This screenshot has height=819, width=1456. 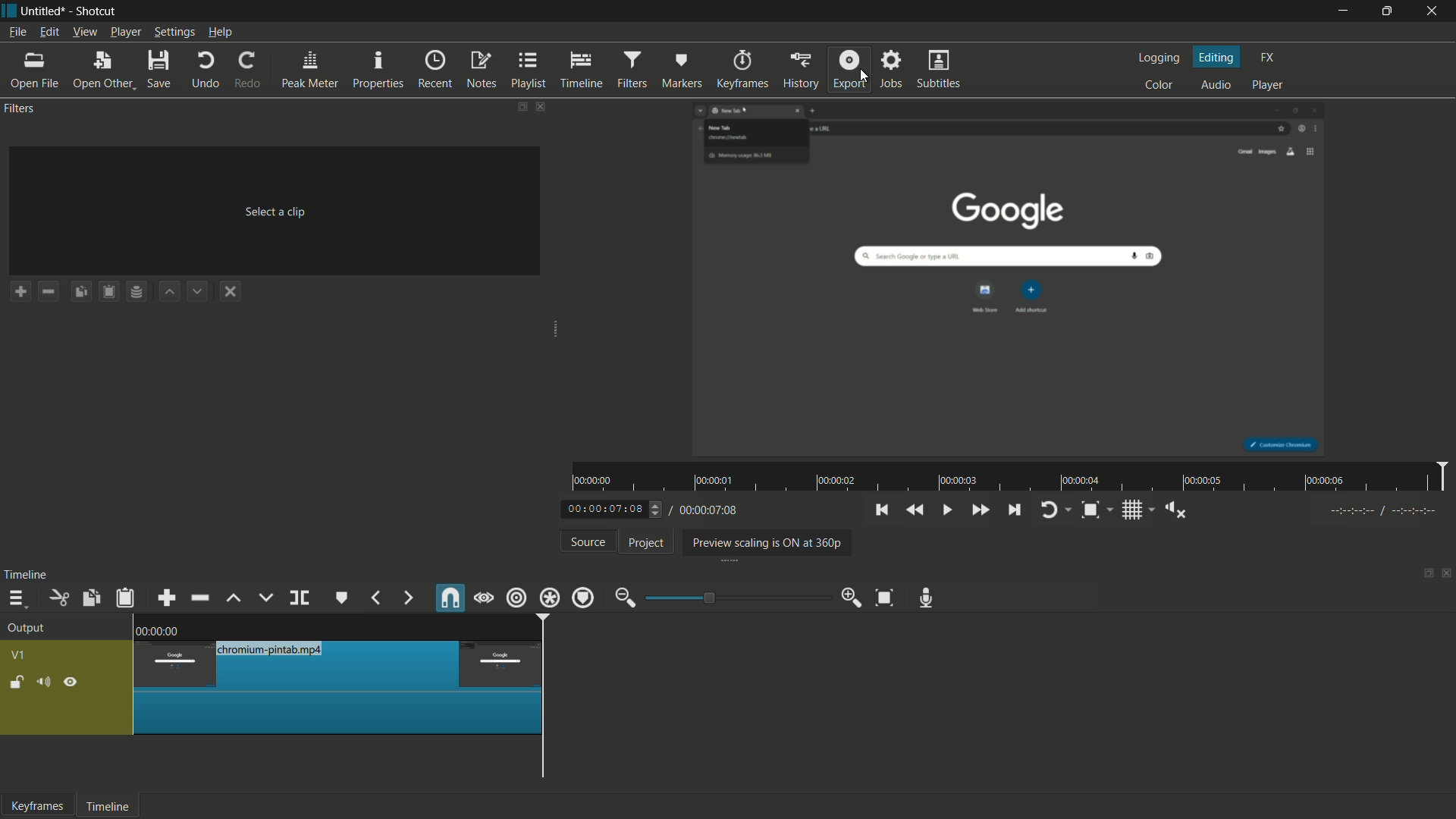 I want to click on close app, so click(x=1434, y=11).